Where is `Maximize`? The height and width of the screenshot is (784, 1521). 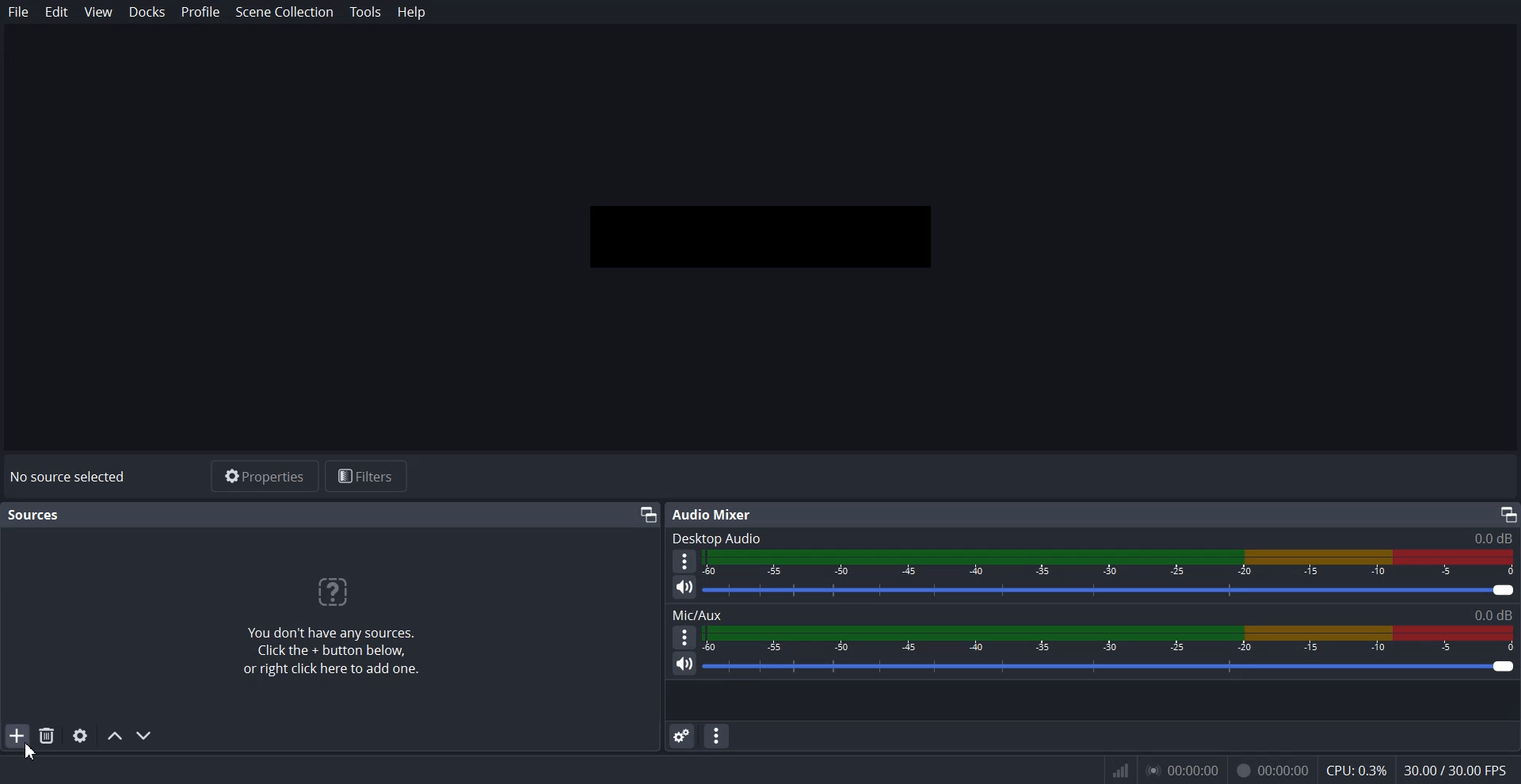 Maximize is located at coordinates (1508, 514).